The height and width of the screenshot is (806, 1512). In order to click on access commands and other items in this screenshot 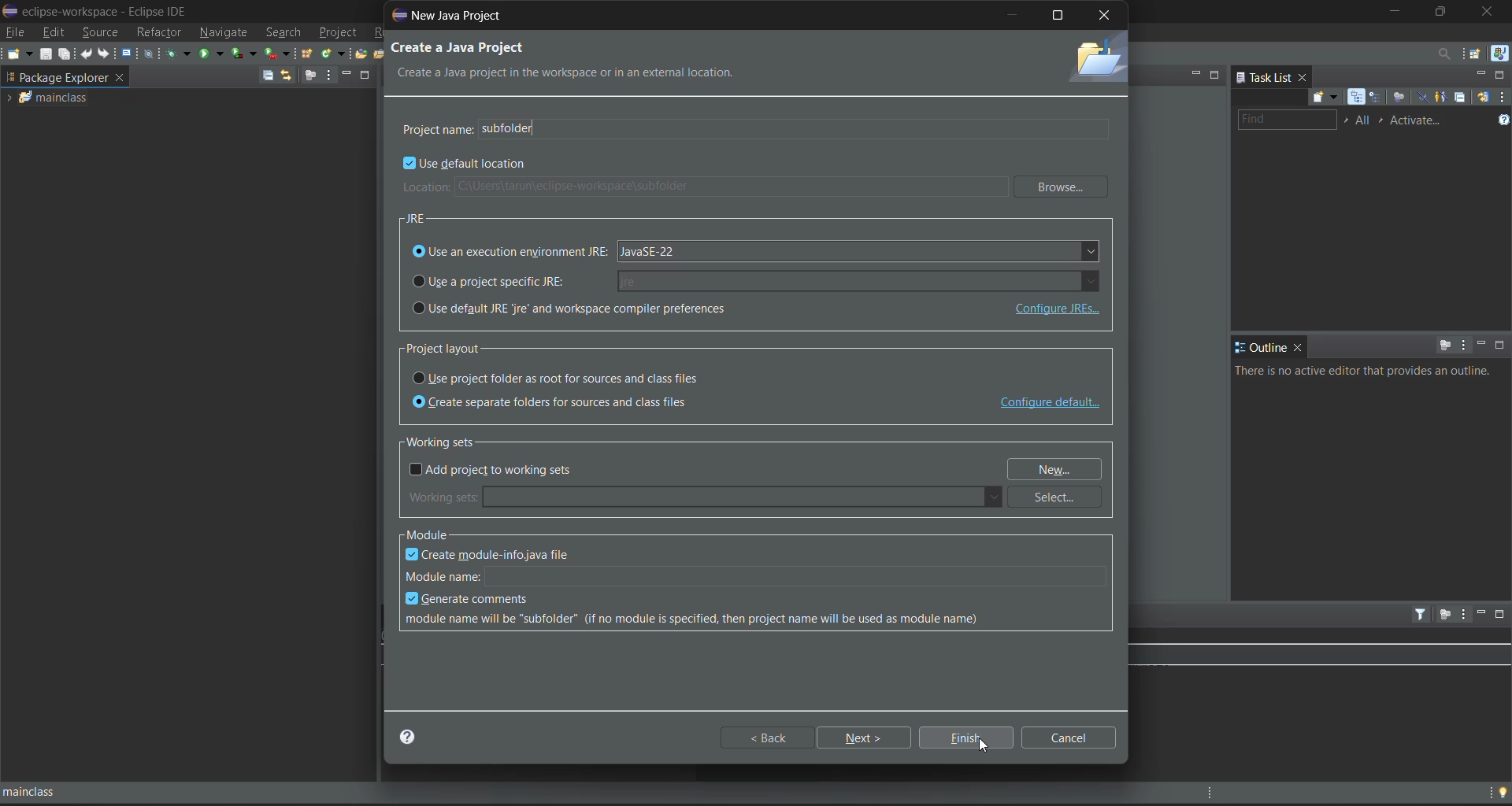, I will do `click(1440, 52)`.